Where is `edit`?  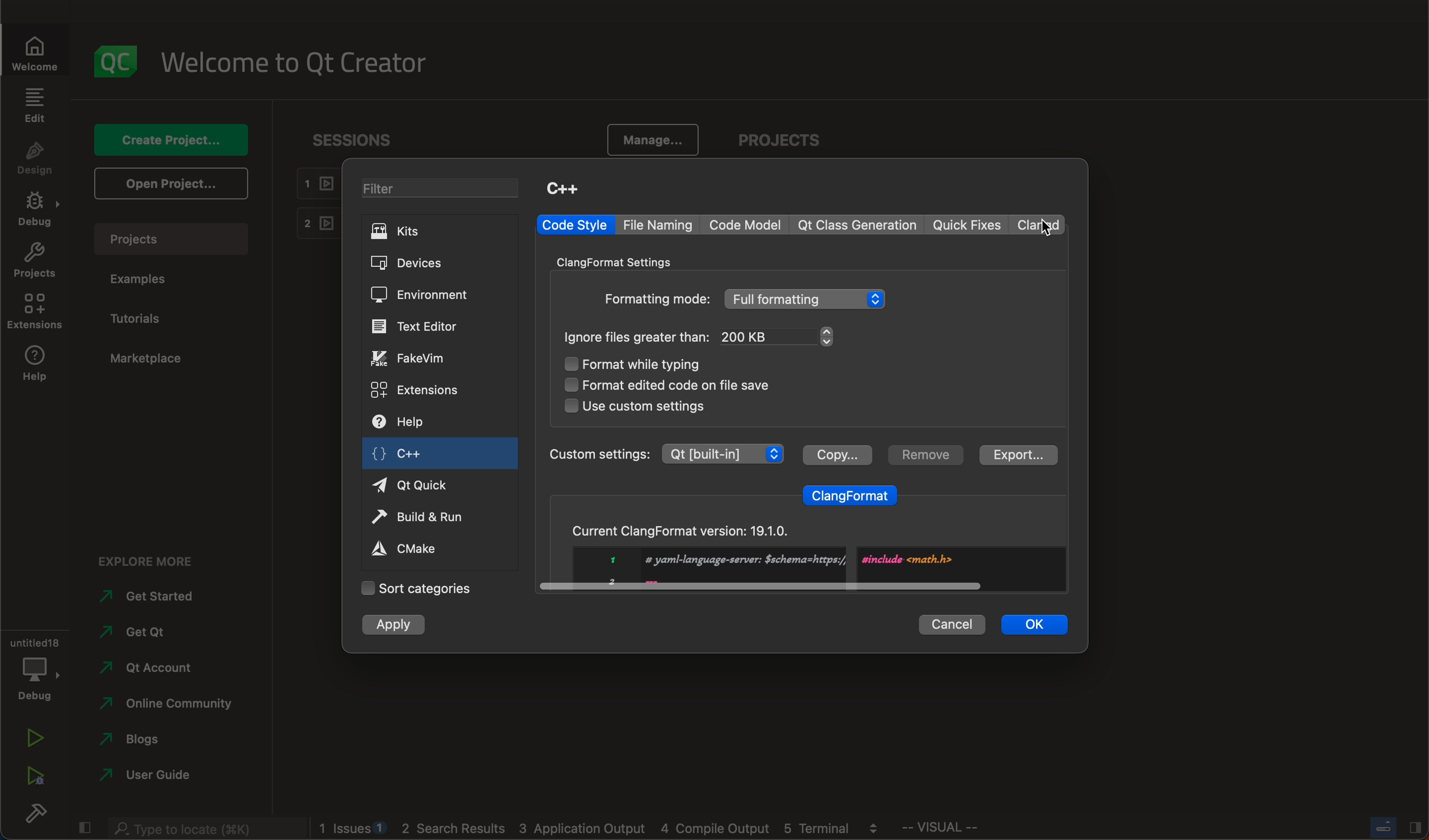
edit is located at coordinates (34, 105).